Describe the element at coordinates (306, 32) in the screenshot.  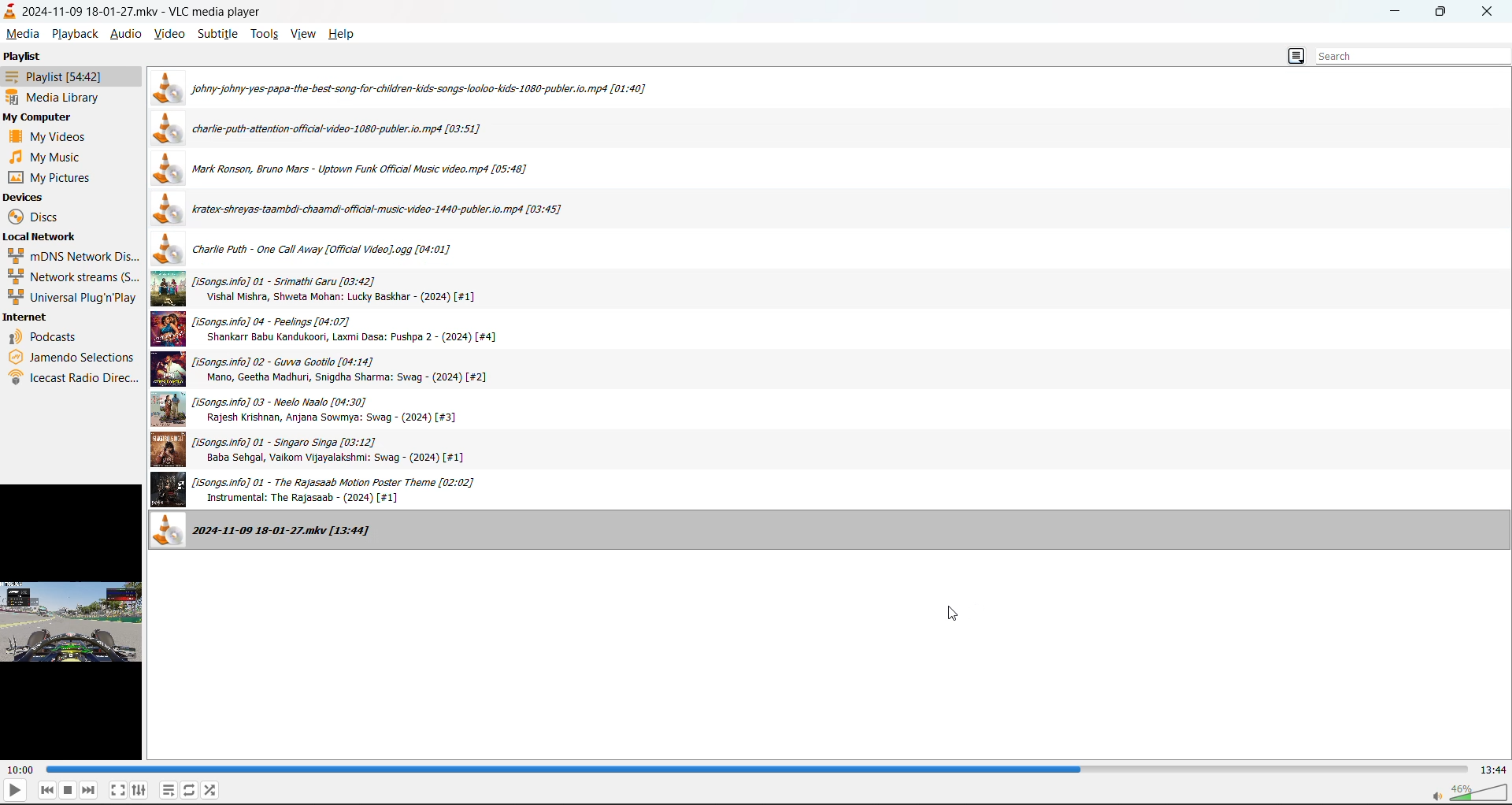
I see `view` at that location.